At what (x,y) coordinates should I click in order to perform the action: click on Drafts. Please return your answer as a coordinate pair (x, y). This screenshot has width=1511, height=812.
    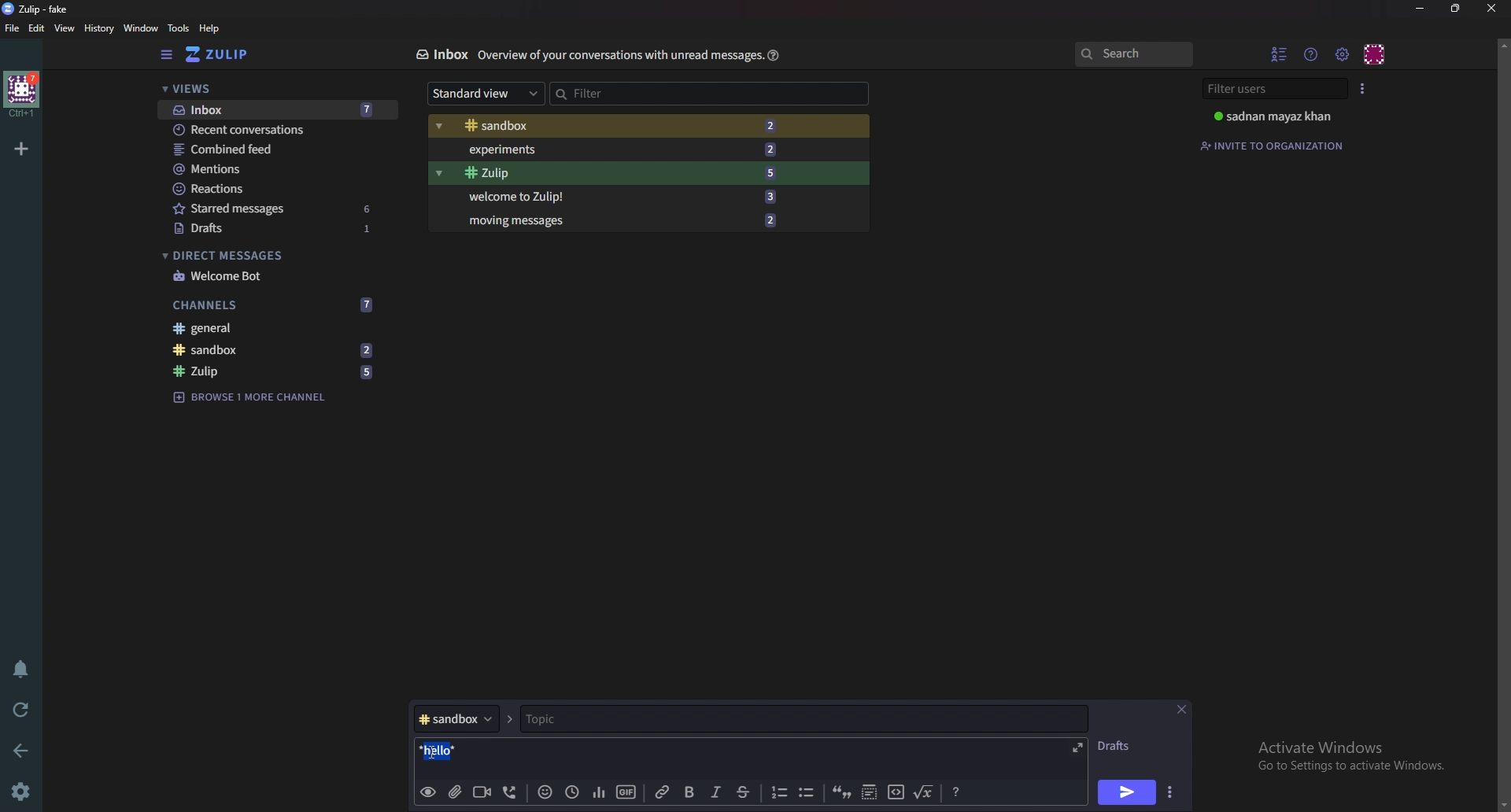
    Looking at the image, I should click on (1116, 748).